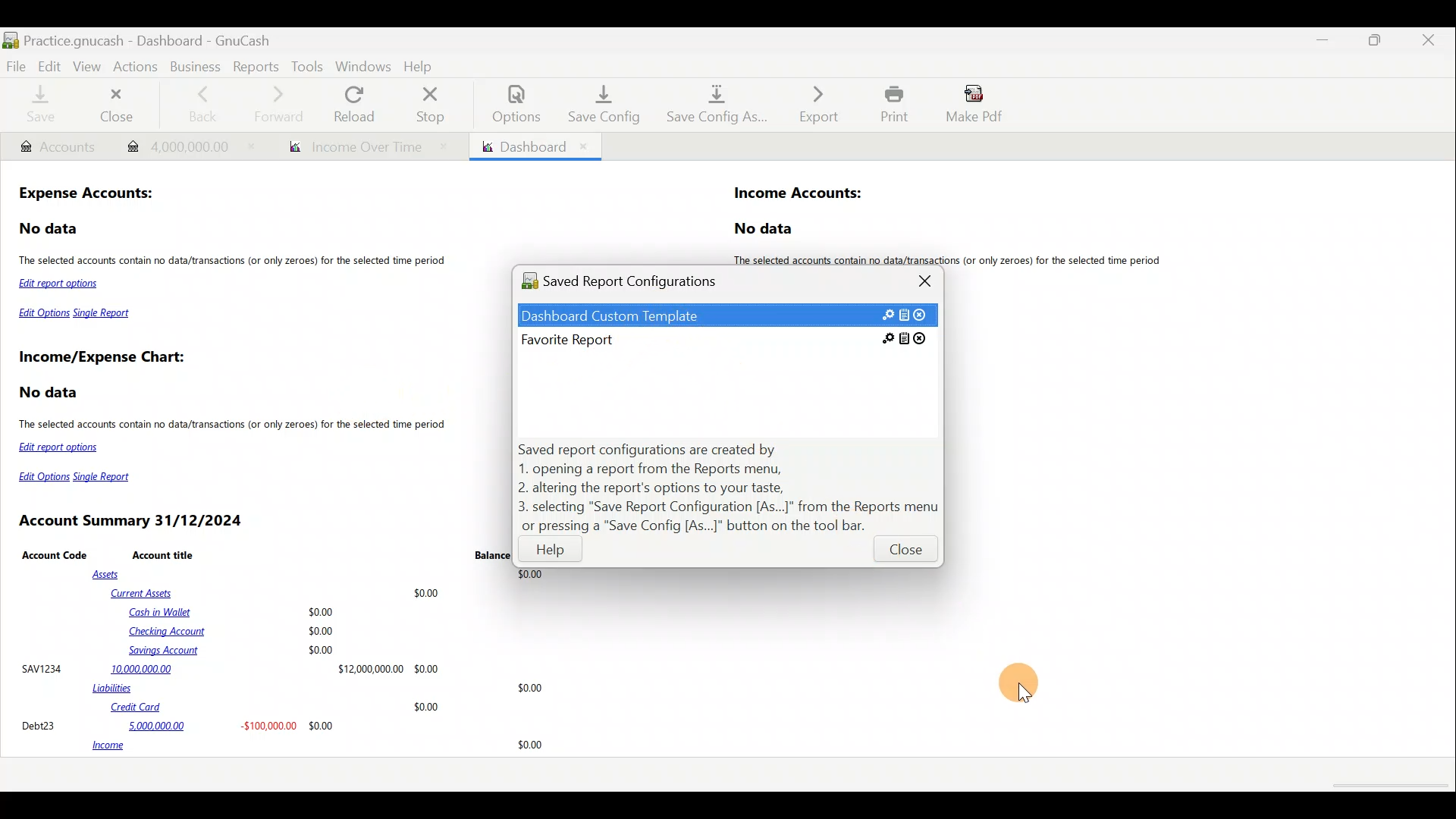 The width and height of the screenshot is (1456, 819). I want to click on SAVI234 10,000,000.00 $12,000,00000 $0.00, so click(230, 668).